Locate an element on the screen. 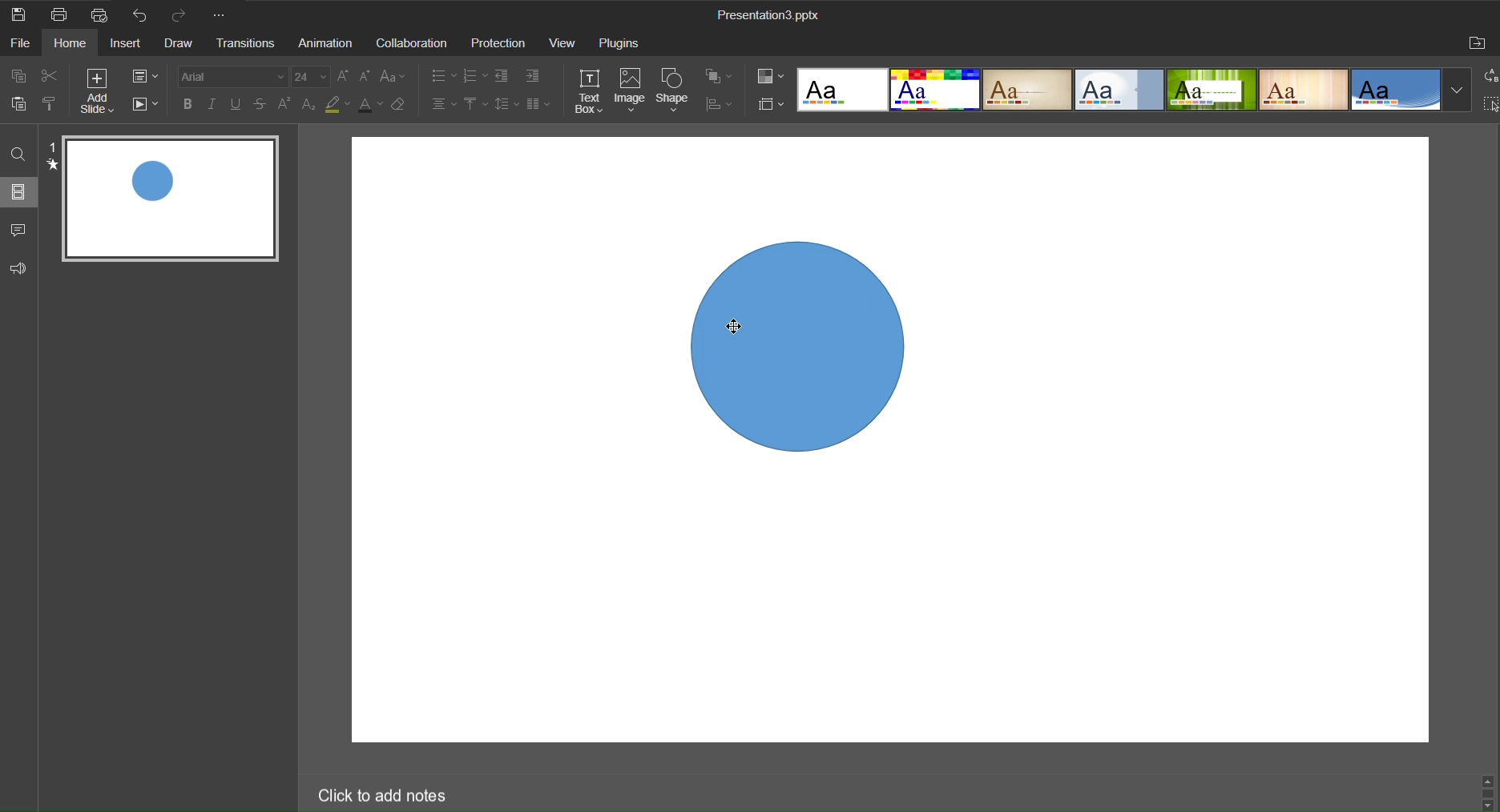 Image resolution: width=1500 pixels, height=812 pixels. Collaboration is located at coordinates (412, 44).